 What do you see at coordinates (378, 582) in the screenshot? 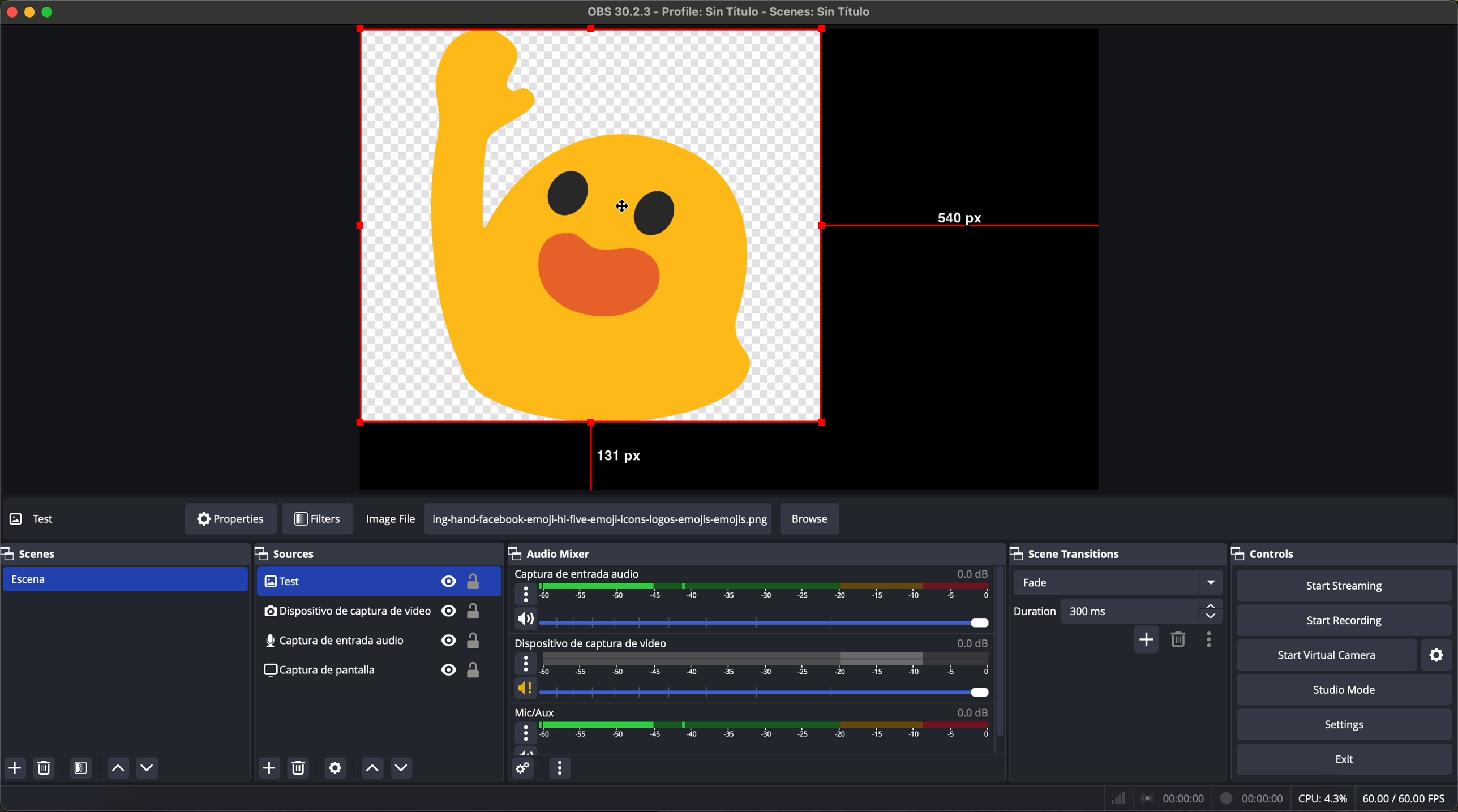
I see `video capture device` at bounding box center [378, 582].